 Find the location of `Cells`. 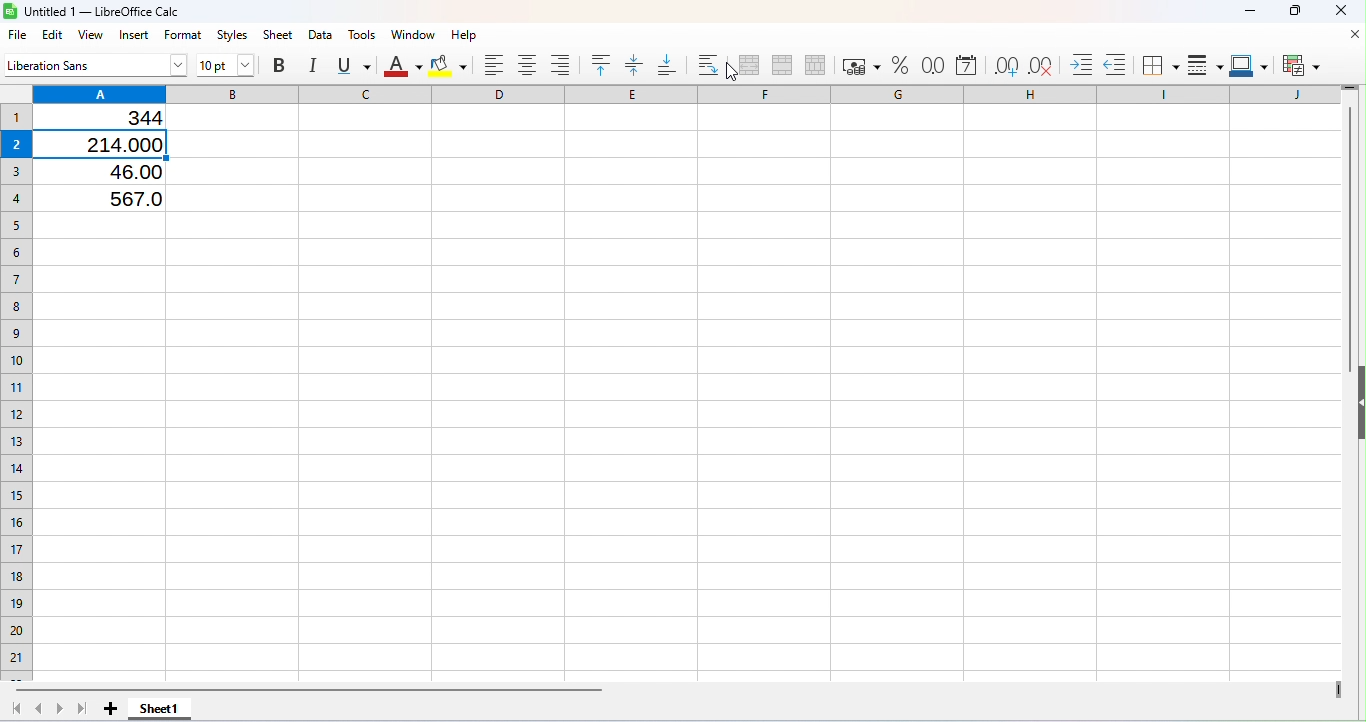

Cells is located at coordinates (688, 440).